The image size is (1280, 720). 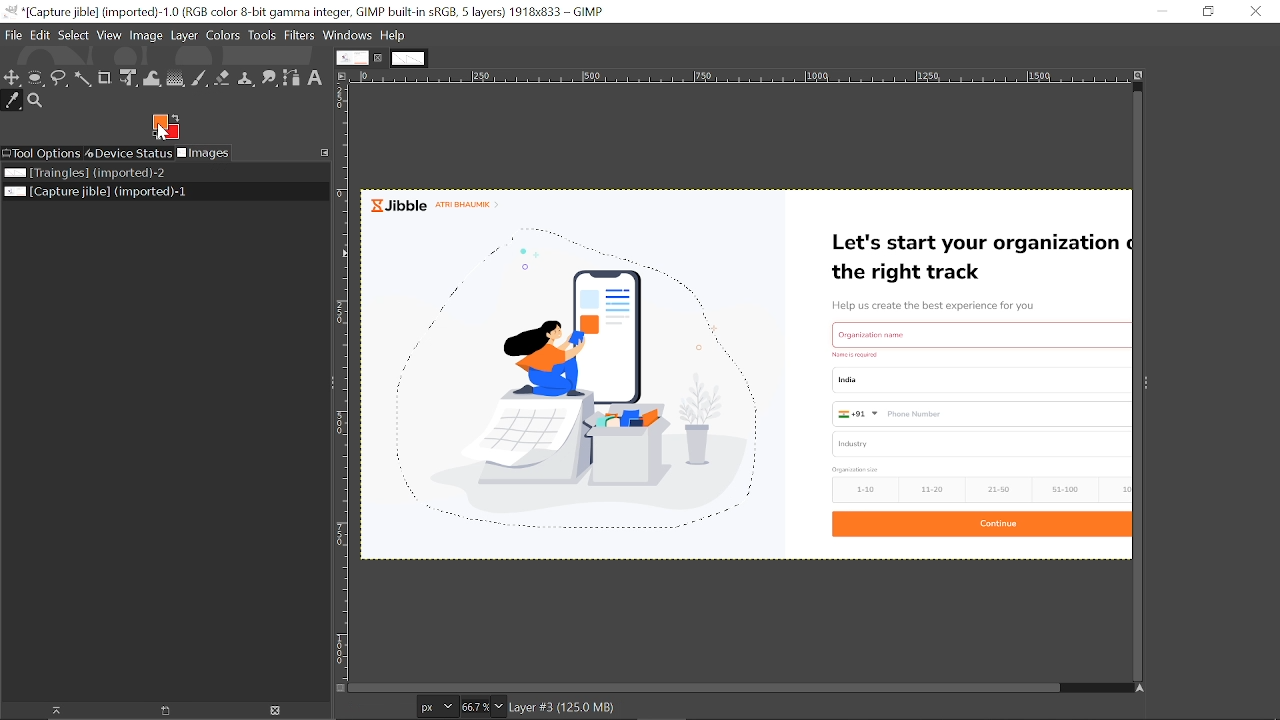 I want to click on Navigate the image display, so click(x=1137, y=688).